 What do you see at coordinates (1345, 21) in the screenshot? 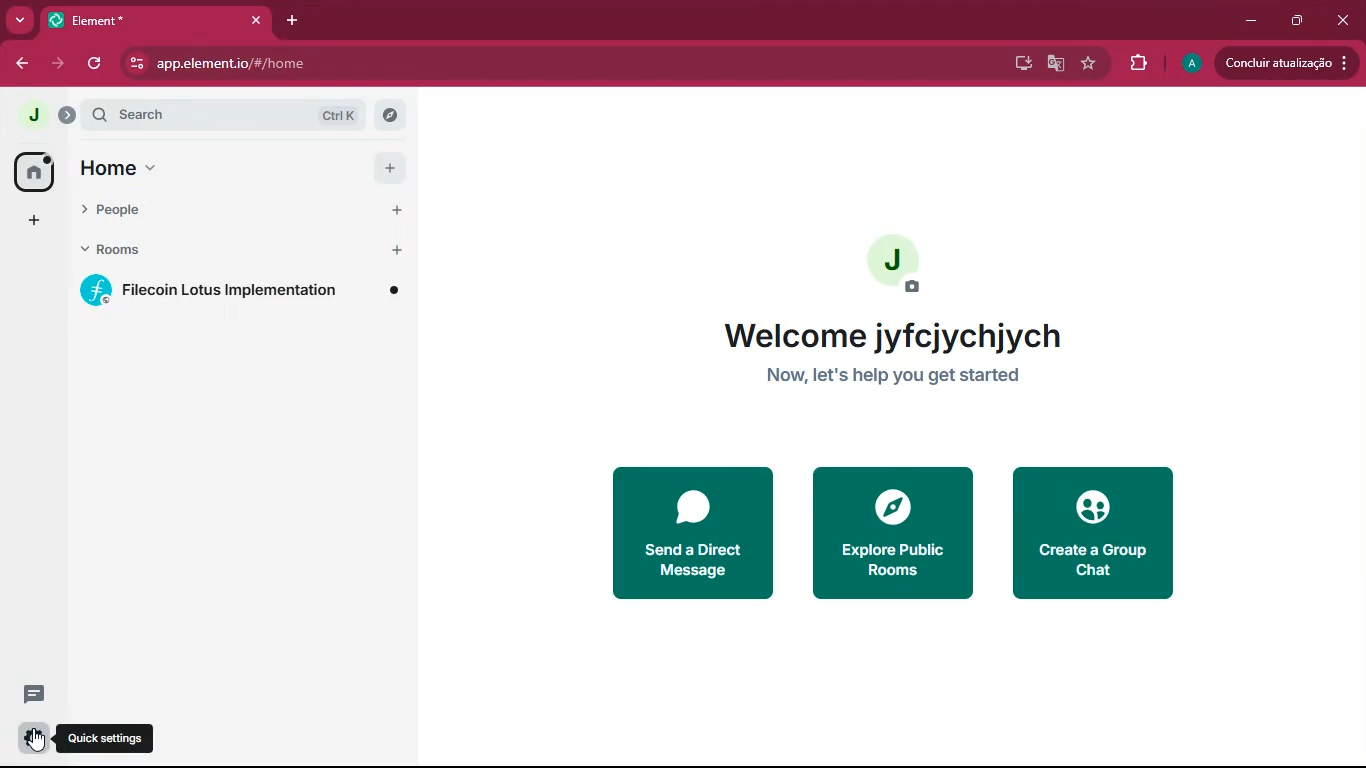
I see `close` at bounding box center [1345, 21].